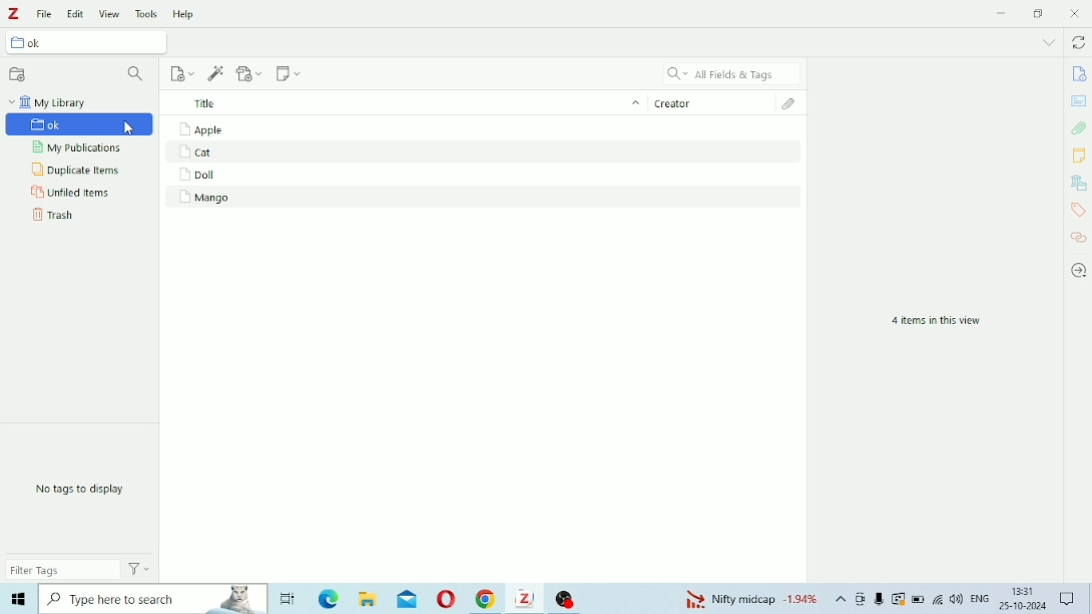 Image resolution: width=1092 pixels, height=614 pixels. Describe the element at coordinates (251, 73) in the screenshot. I see `Add Attachment` at that location.